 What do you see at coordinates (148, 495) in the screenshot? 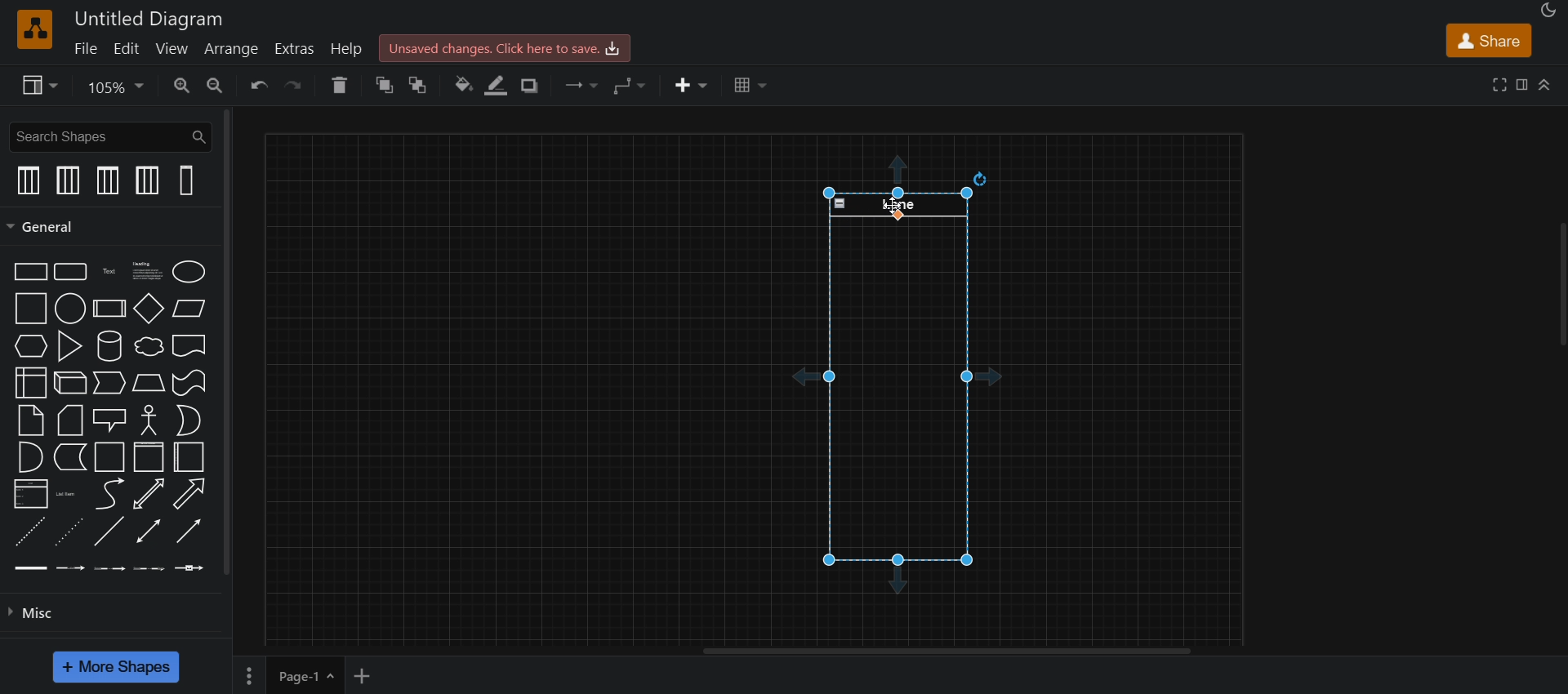
I see `bidirectional arrow` at bounding box center [148, 495].